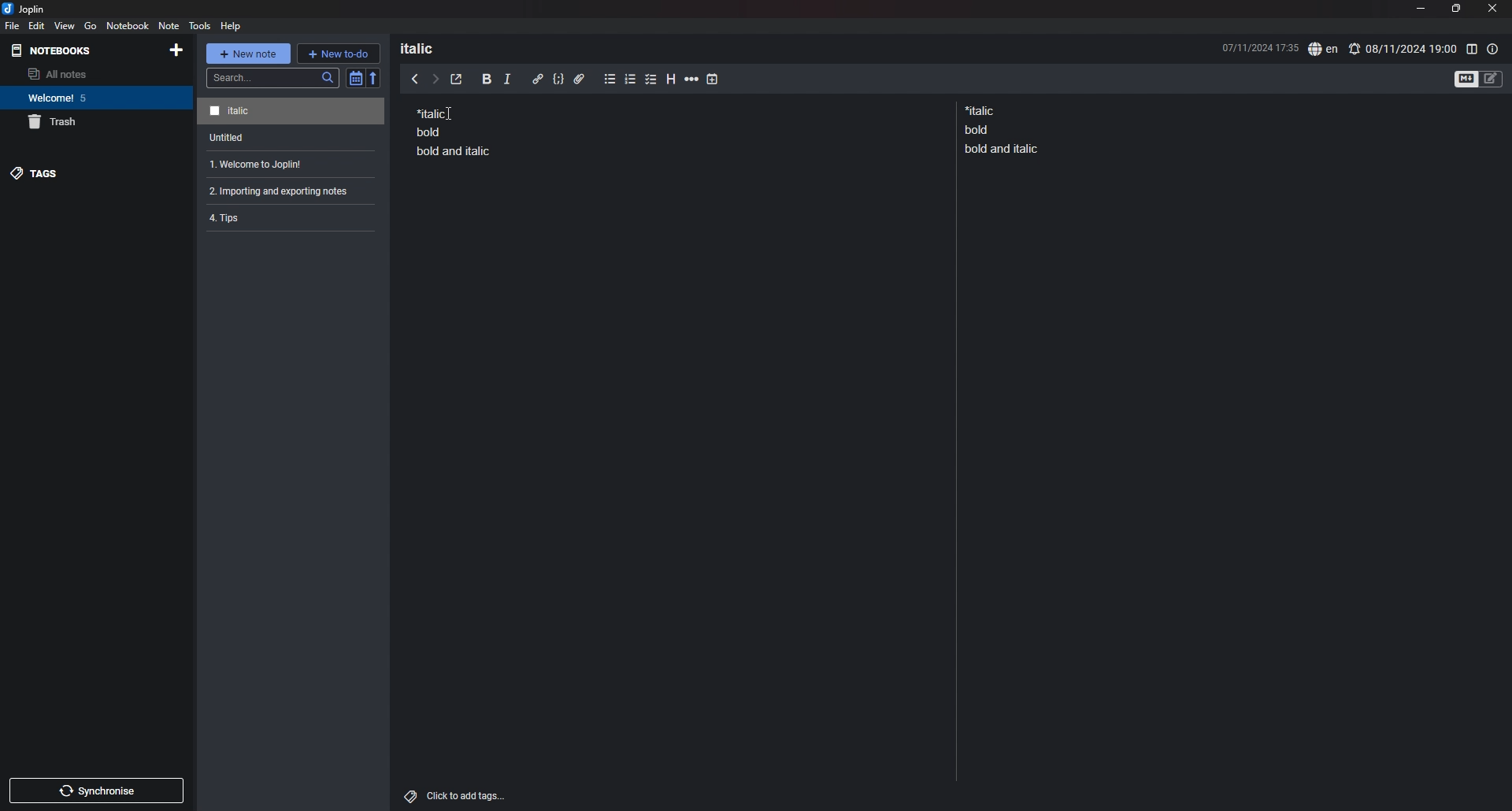 The width and height of the screenshot is (1512, 811). What do you see at coordinates (175, 50) in the screenshot?
I see `add notebook` at bounding box center [175, 50].